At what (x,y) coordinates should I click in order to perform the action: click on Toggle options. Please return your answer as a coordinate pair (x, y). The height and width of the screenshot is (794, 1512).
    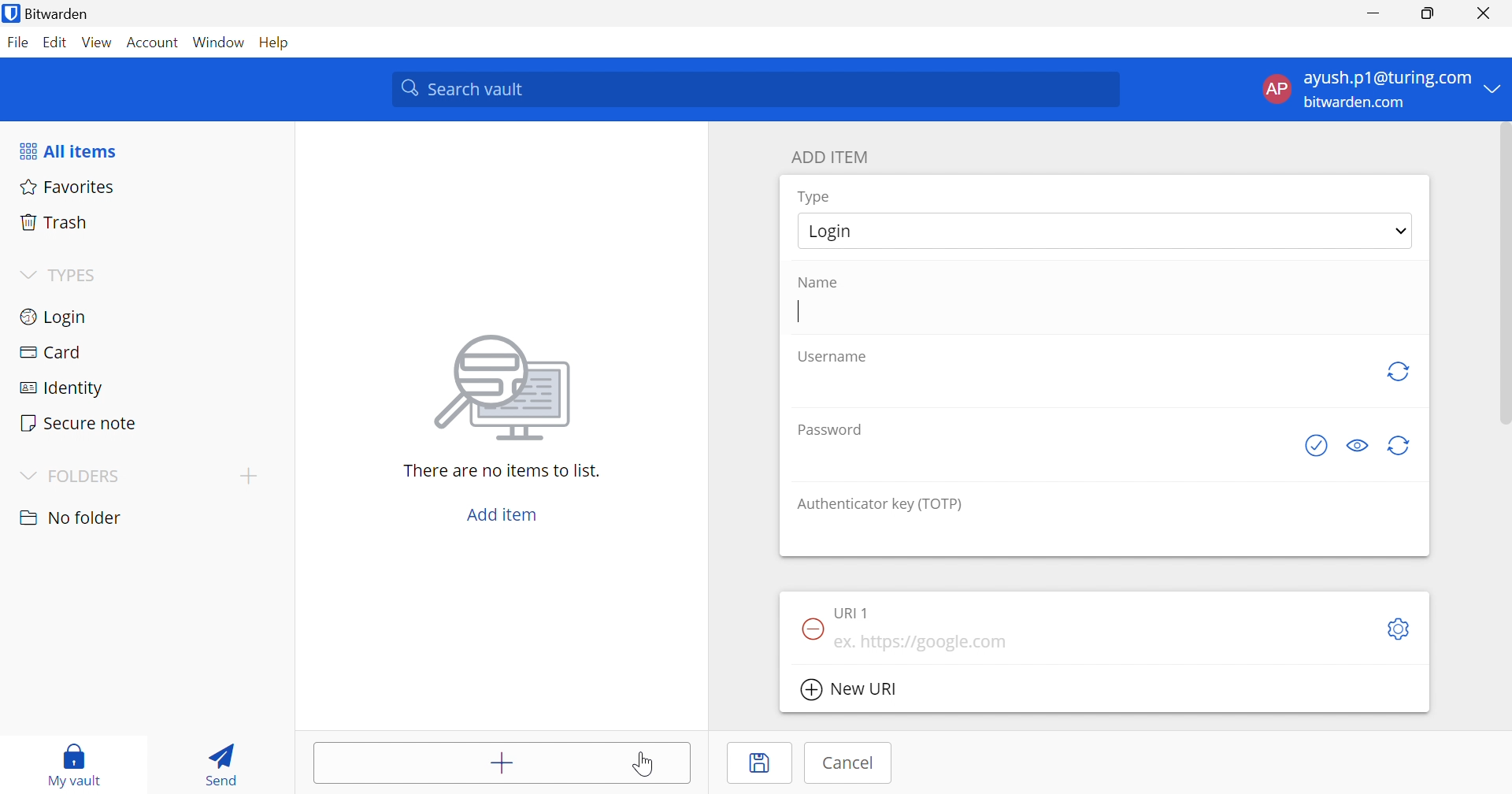
    Looking at the image, I should click on (1401, 630).